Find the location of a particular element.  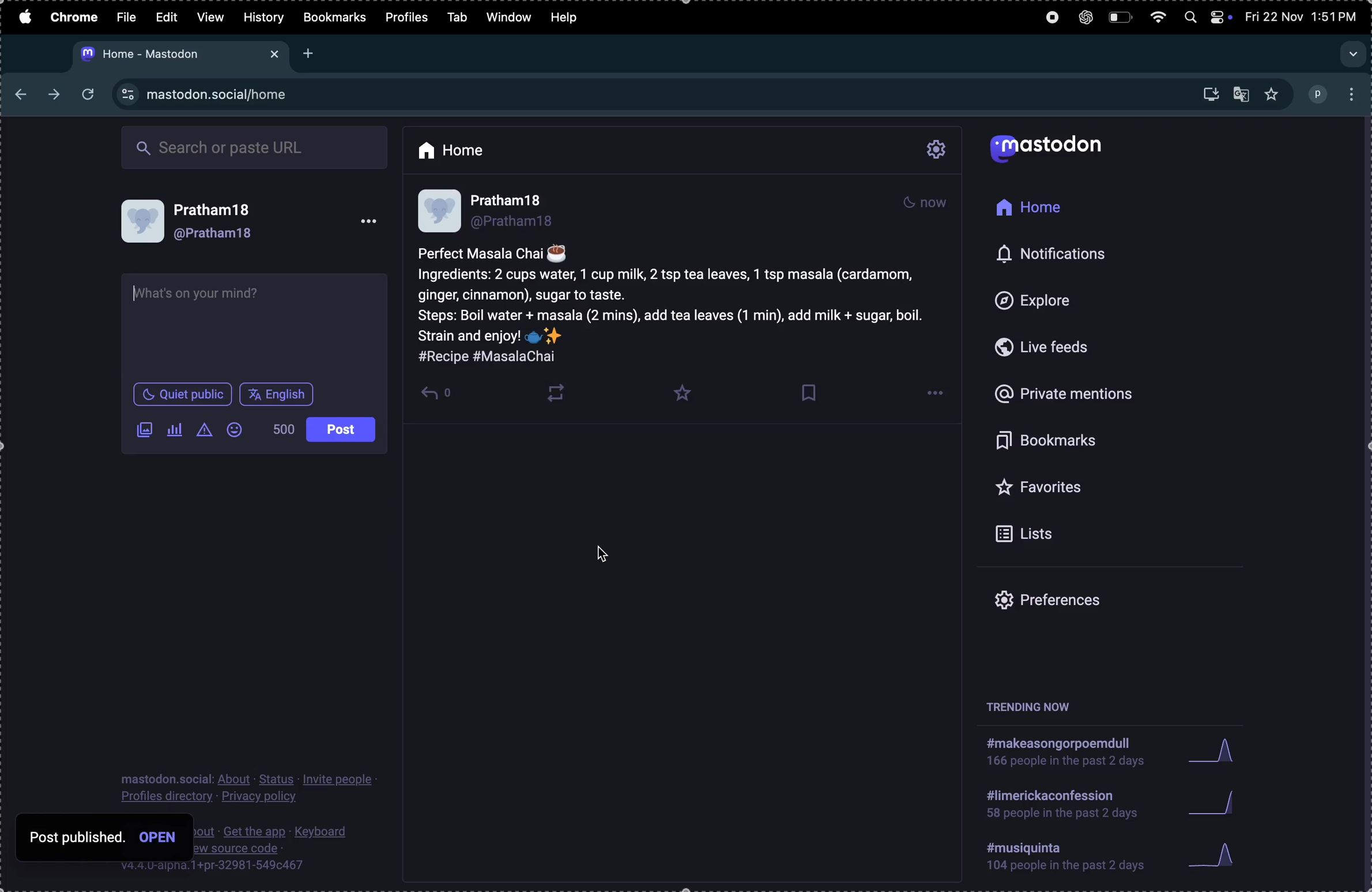

500 words is located at coordinates (281, 428).